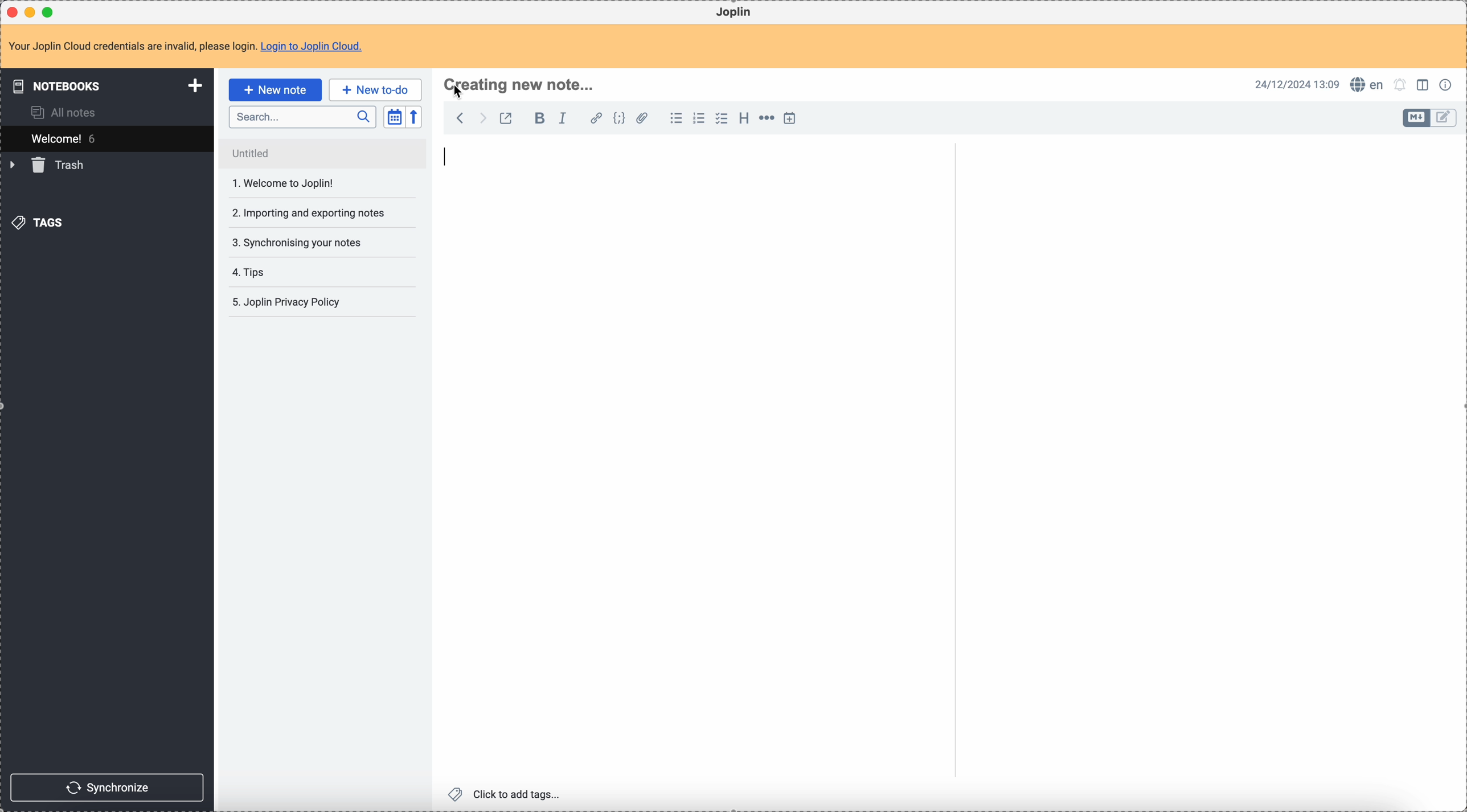  I want to click on Welcome to Joplin!, so click(284, 183).